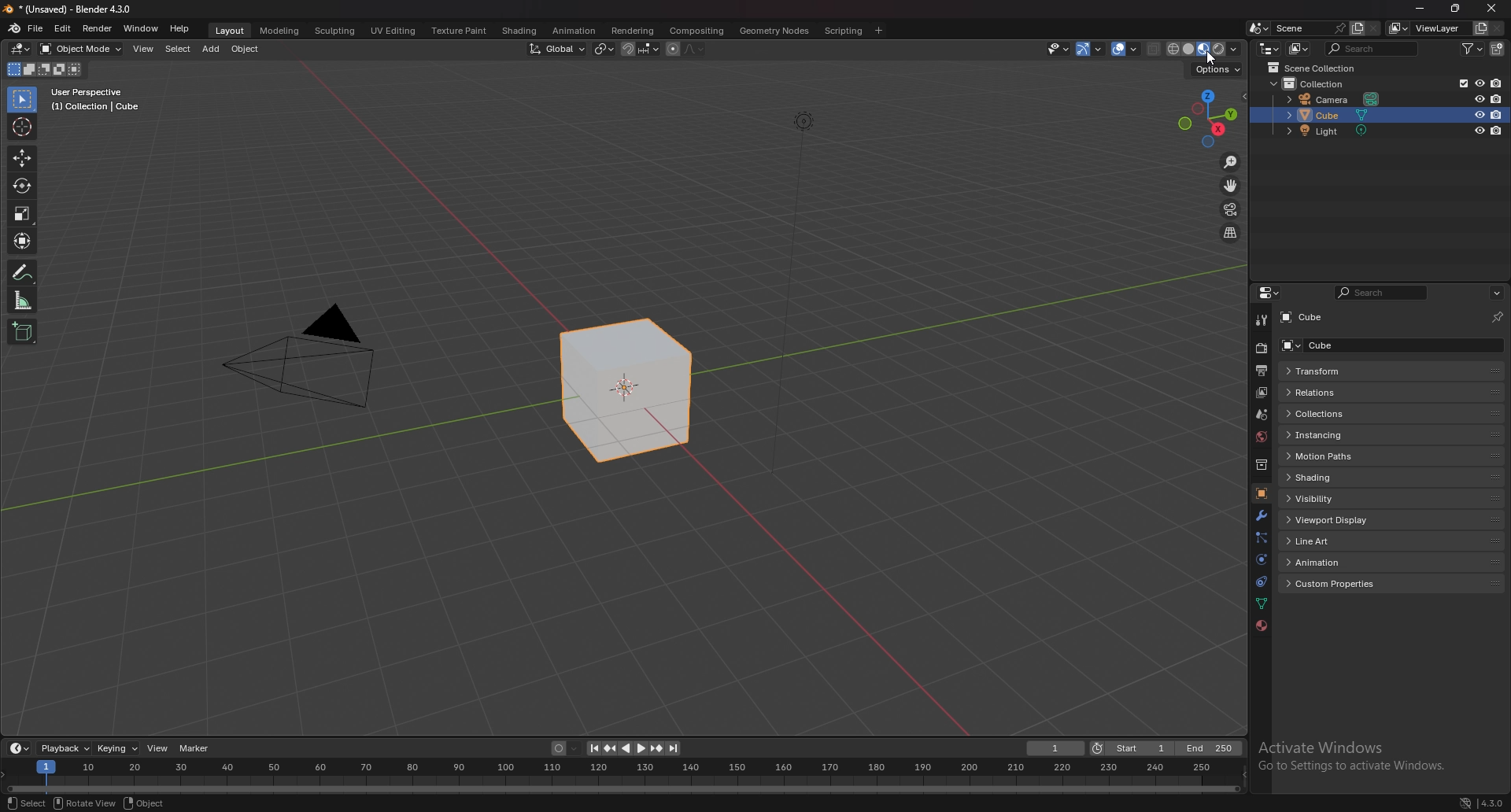 The image size is (1511, 812). Describe the element at coordinates (1496, 83) in the screenshot. I see `disable in renders` at that location.